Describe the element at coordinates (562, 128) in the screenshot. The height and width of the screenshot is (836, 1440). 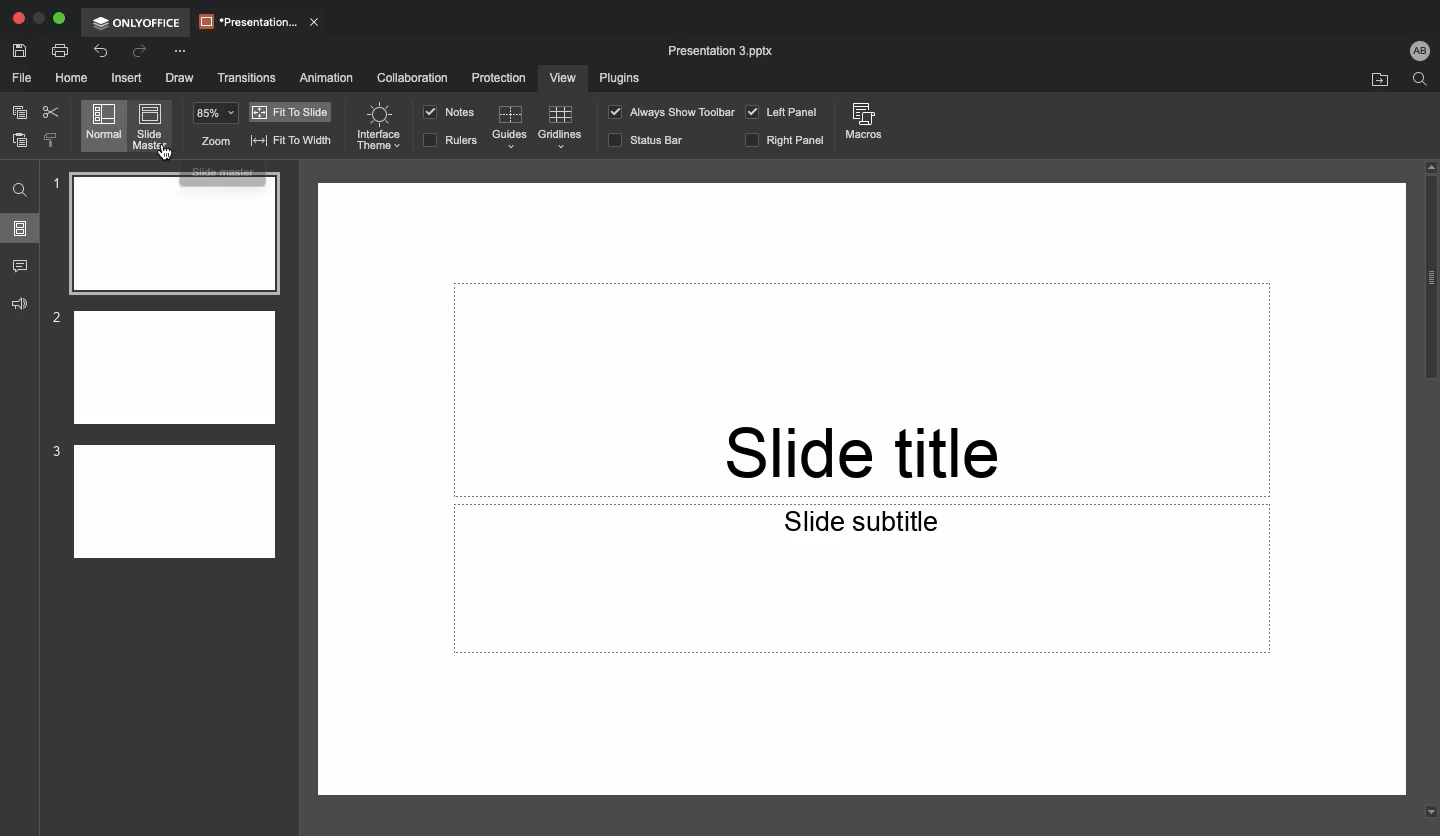
I see `Guidelines` at that location.